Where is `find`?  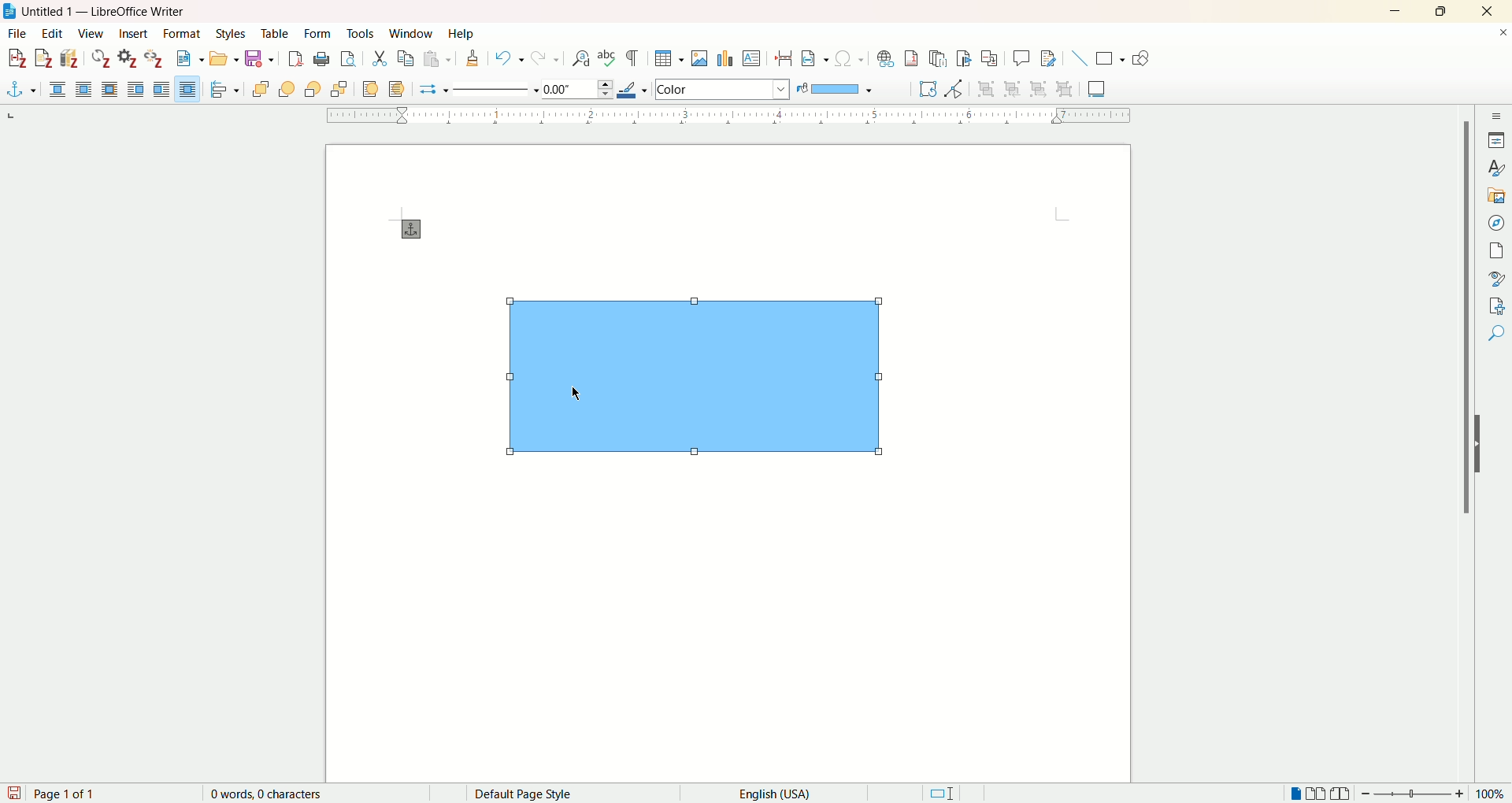 find is located at coordinates (1497, 357).